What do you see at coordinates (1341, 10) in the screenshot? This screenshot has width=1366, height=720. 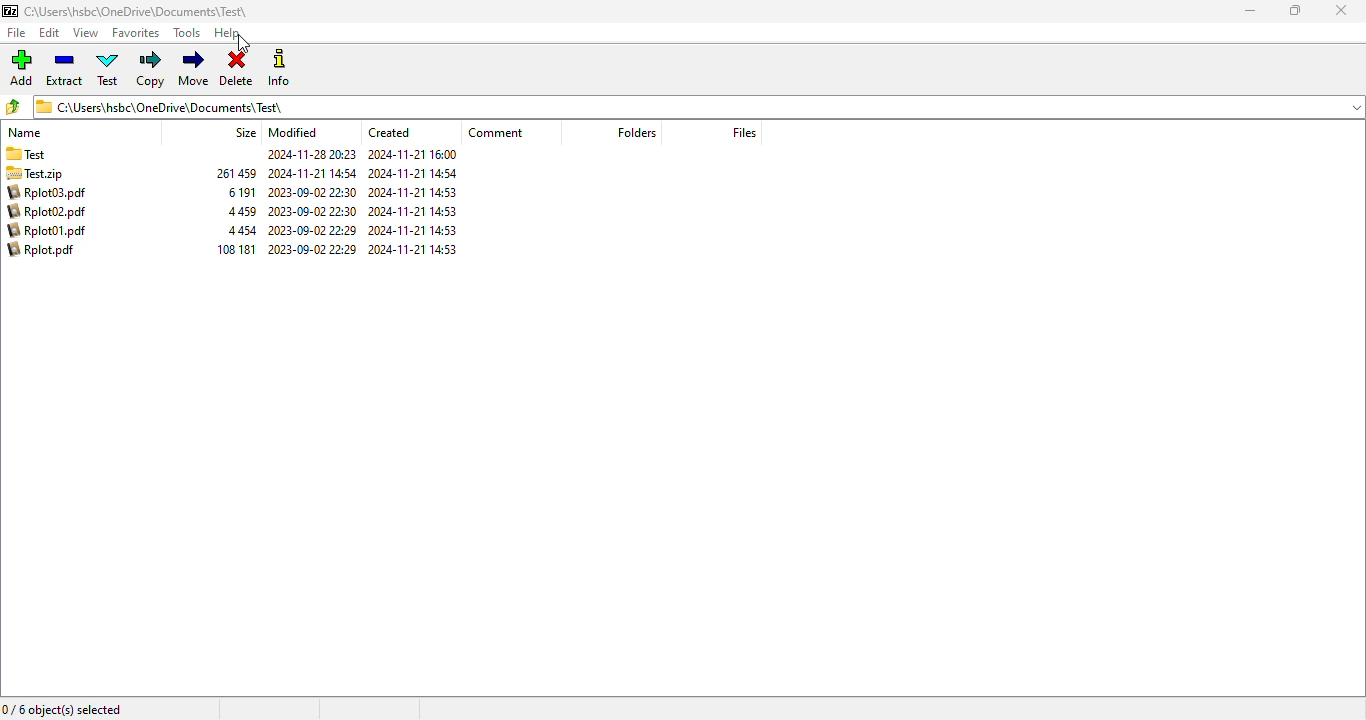 I see `close` at bounding box center [1341, 10].